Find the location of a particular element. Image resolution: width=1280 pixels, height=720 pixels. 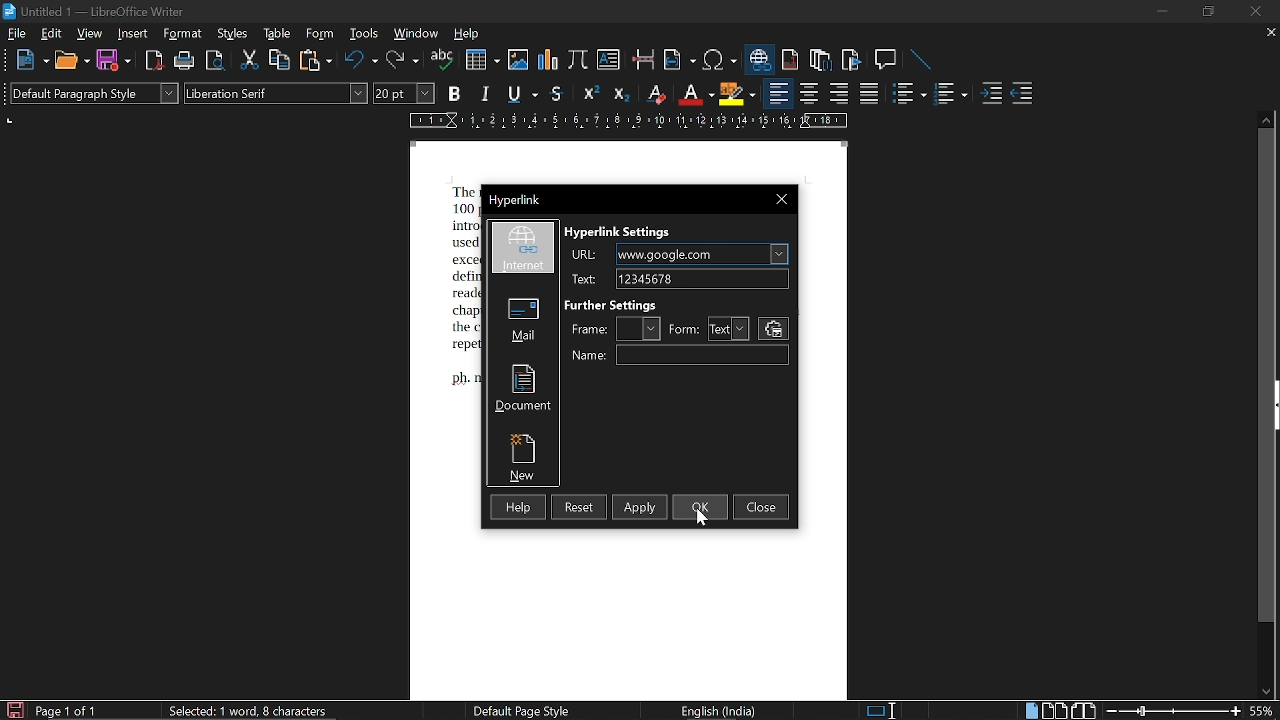

text is located at coordinates (582, 280).